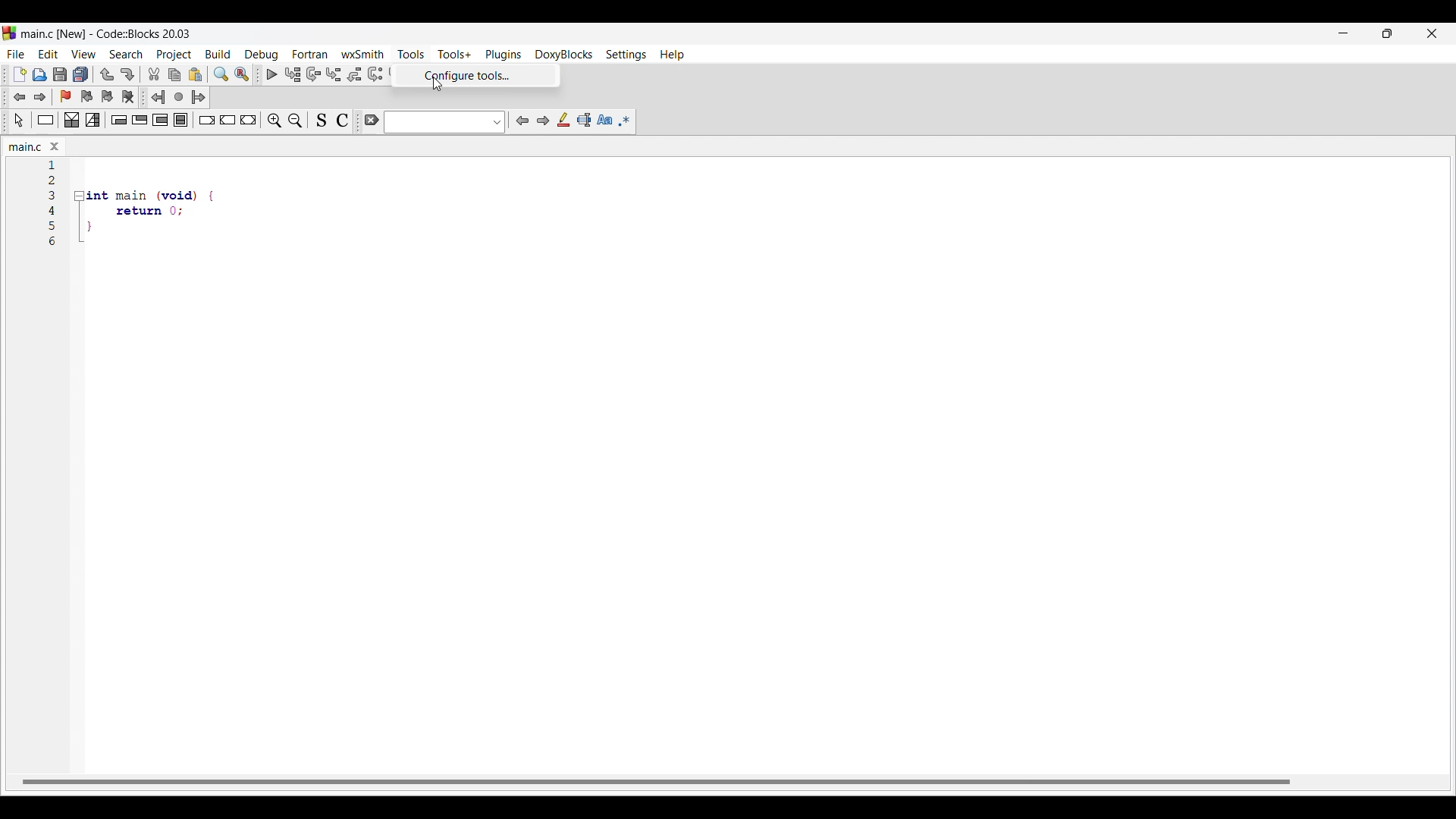 This screenshot has height=819, width=1456. Describe the element at coordinates (107, 96) in the screenshot. I see `Next bookmark` at that location.